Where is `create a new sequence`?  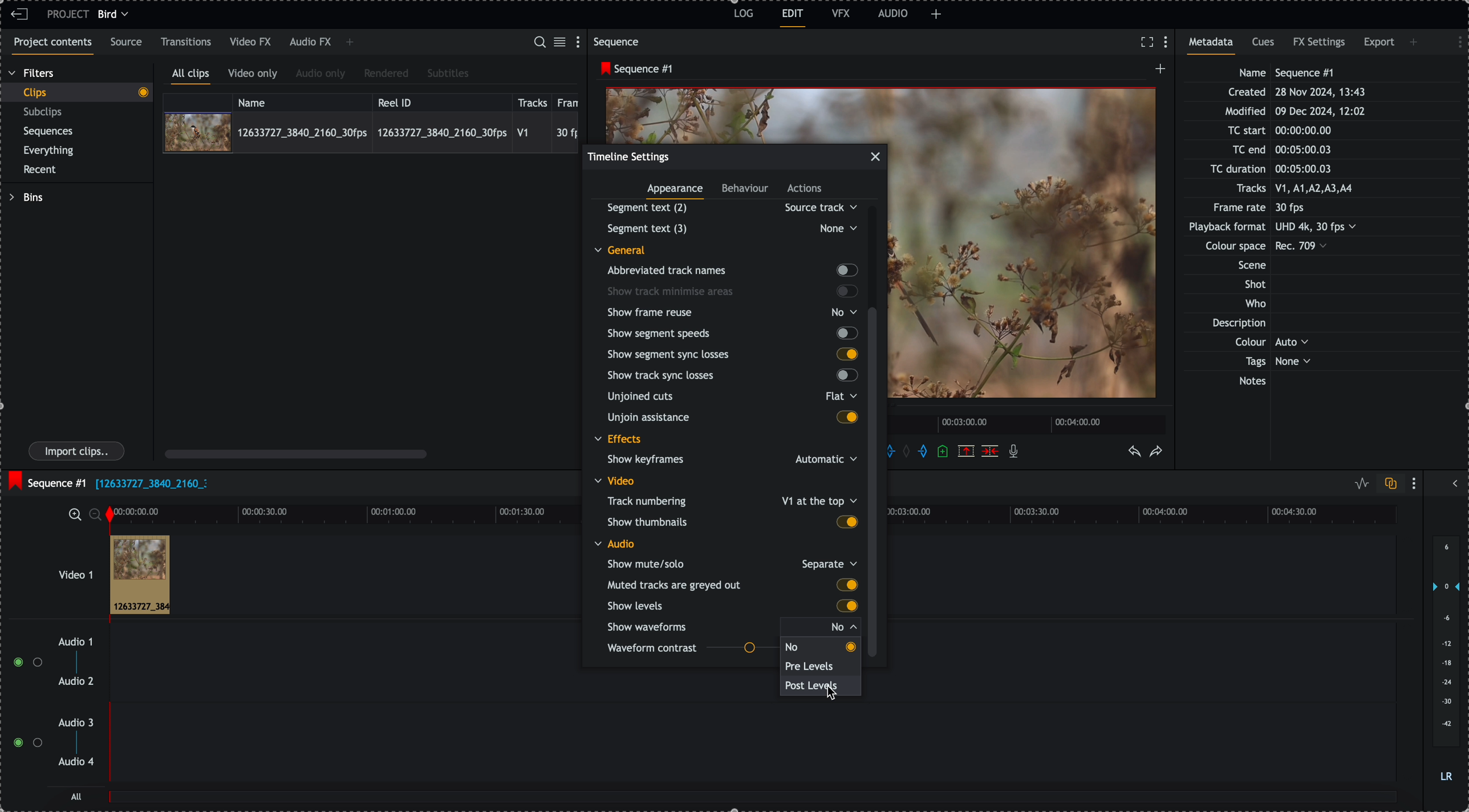 create a new sequence is located at coordinates (1158, 72).